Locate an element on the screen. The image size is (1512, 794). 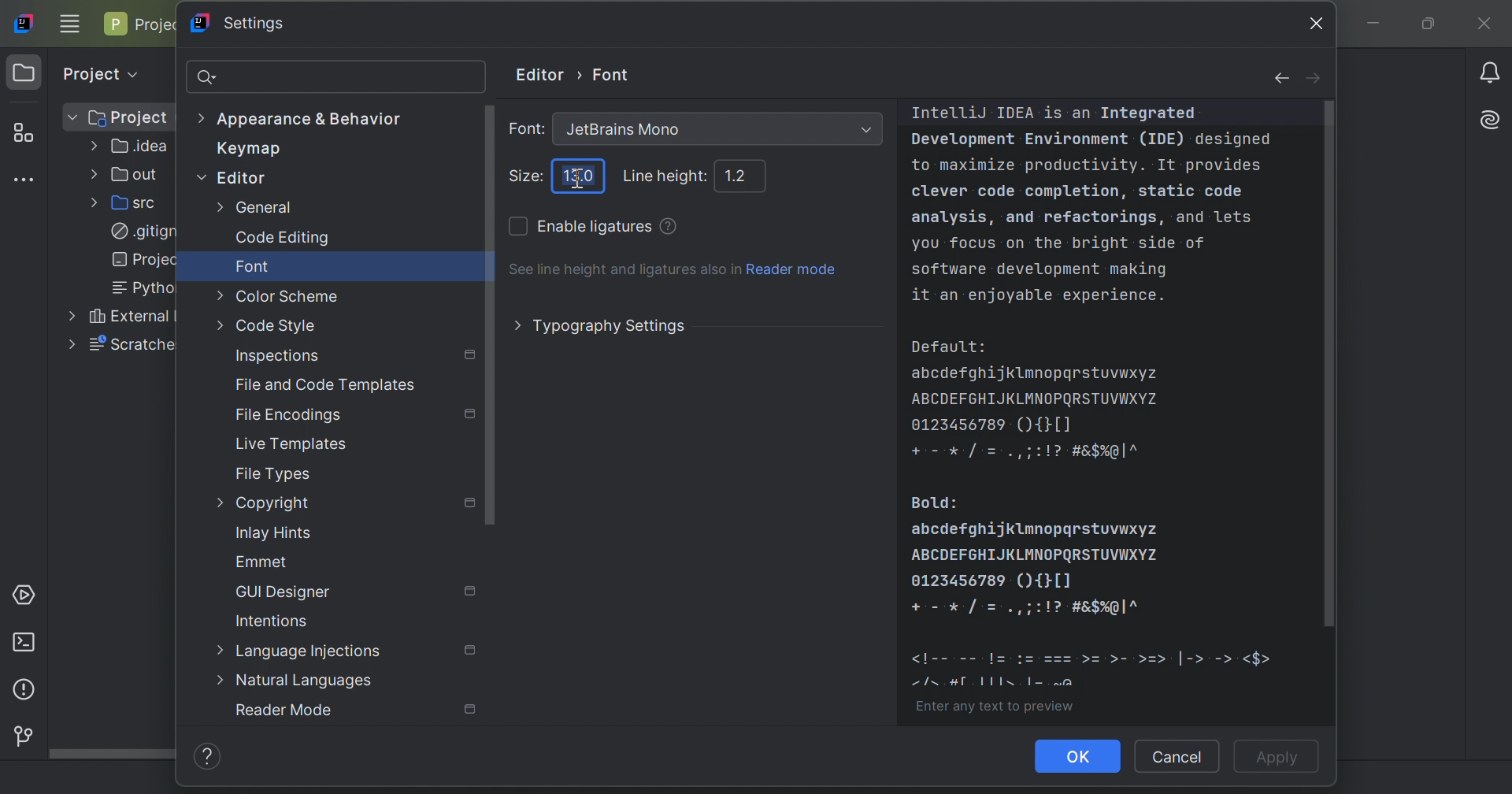
Cursor is located at coordinates (581, 178).